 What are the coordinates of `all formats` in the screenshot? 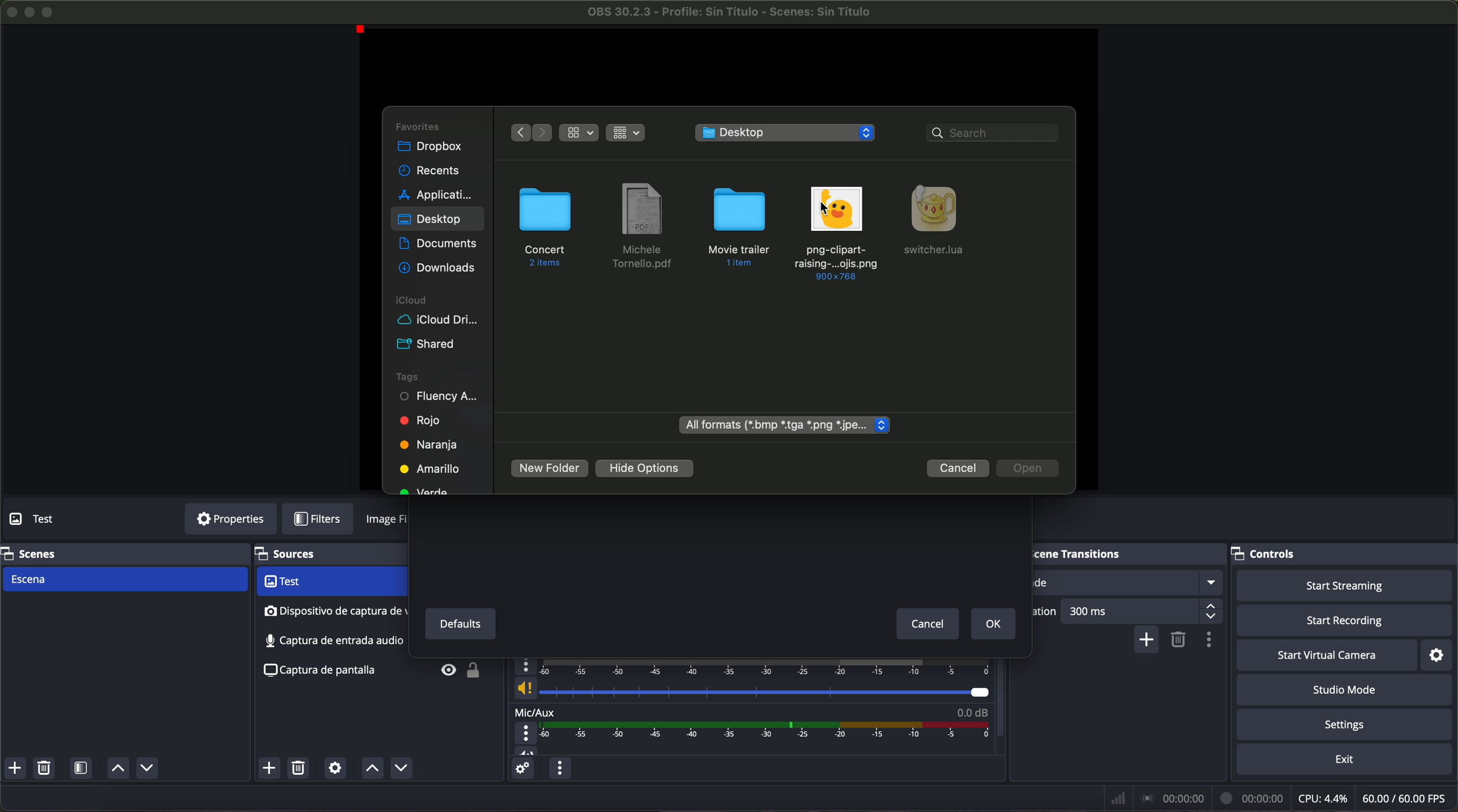 It's located at (784, 426).